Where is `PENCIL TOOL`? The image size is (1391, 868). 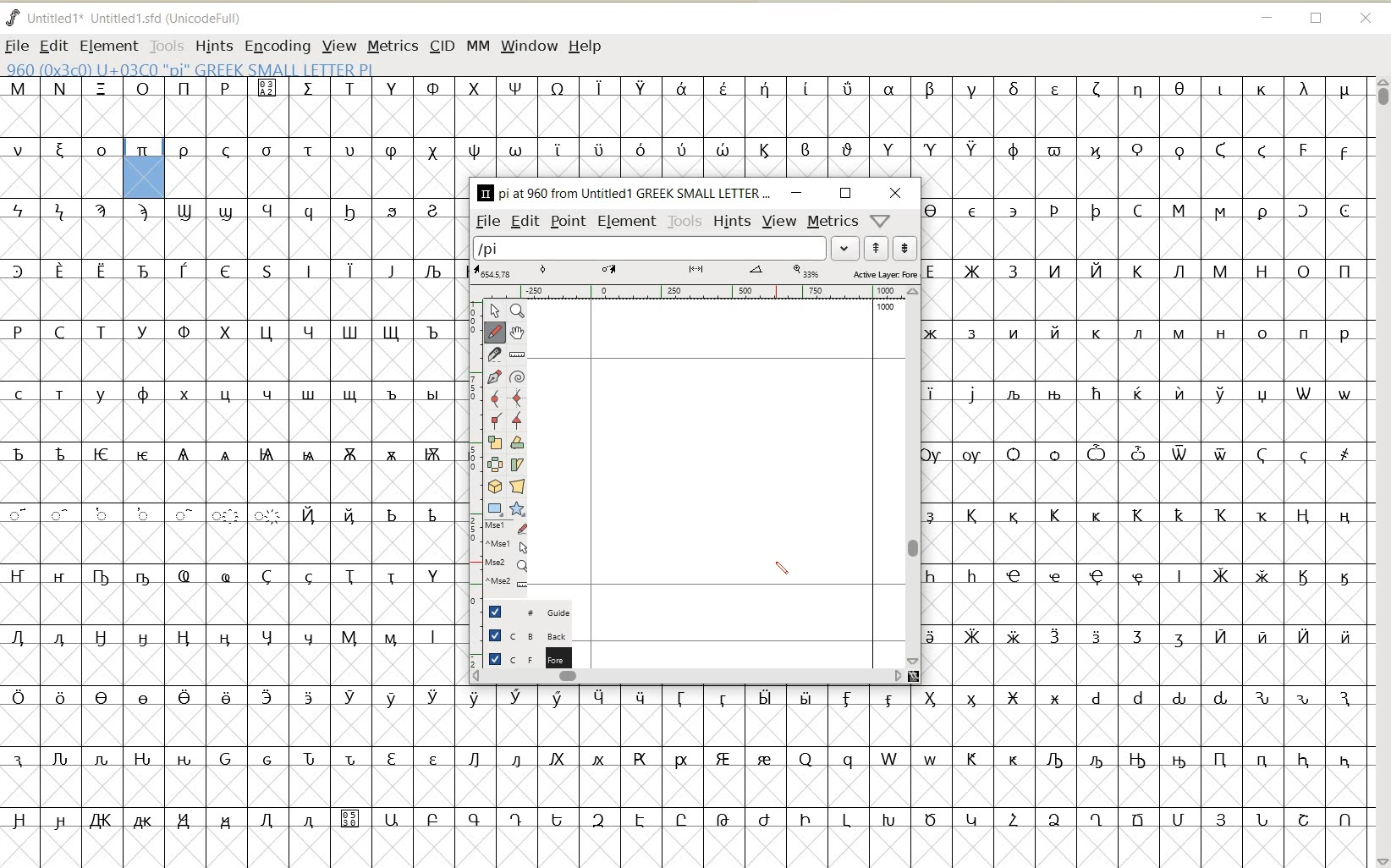 PENCIL TOOL is located at coordinates (783, 569).